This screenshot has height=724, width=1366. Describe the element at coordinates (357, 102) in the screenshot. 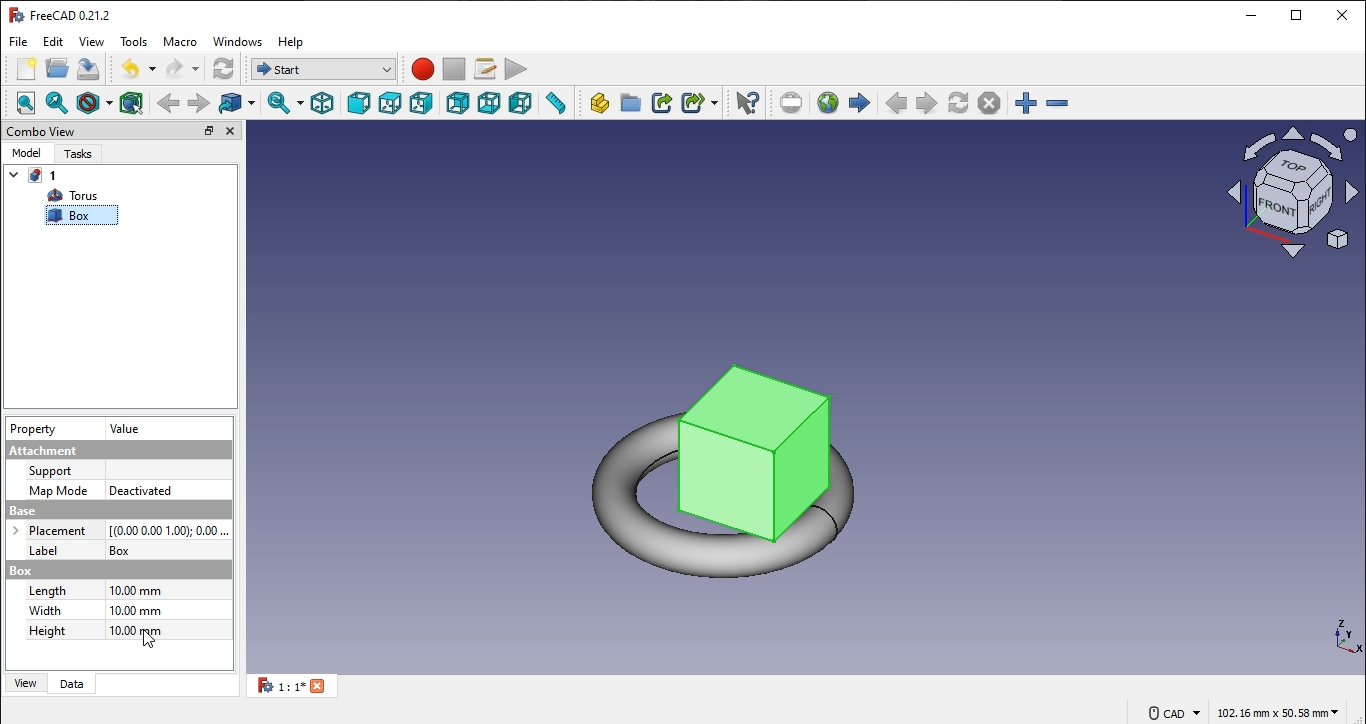

I see `front` at that location.